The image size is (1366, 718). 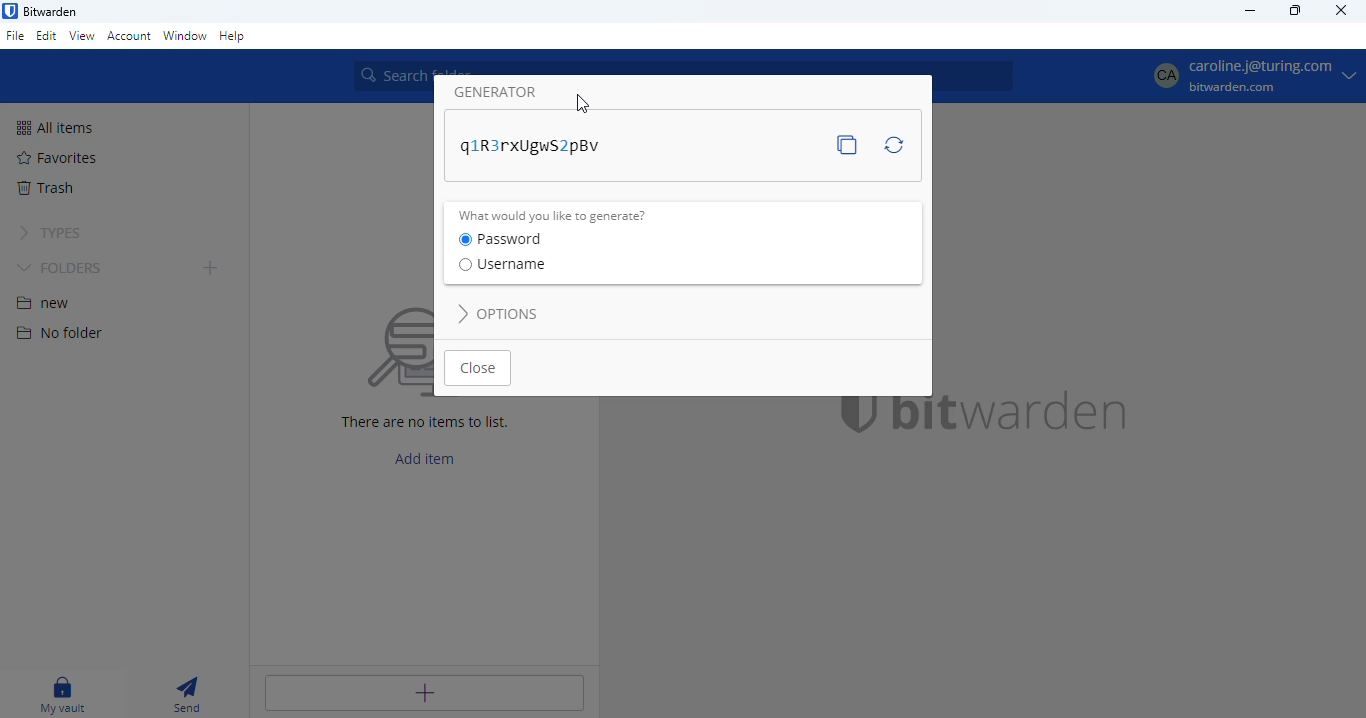 What do you see at coordinates (10, 10) in the screenshot?
I see `logo` at bounding box center [10, 10].